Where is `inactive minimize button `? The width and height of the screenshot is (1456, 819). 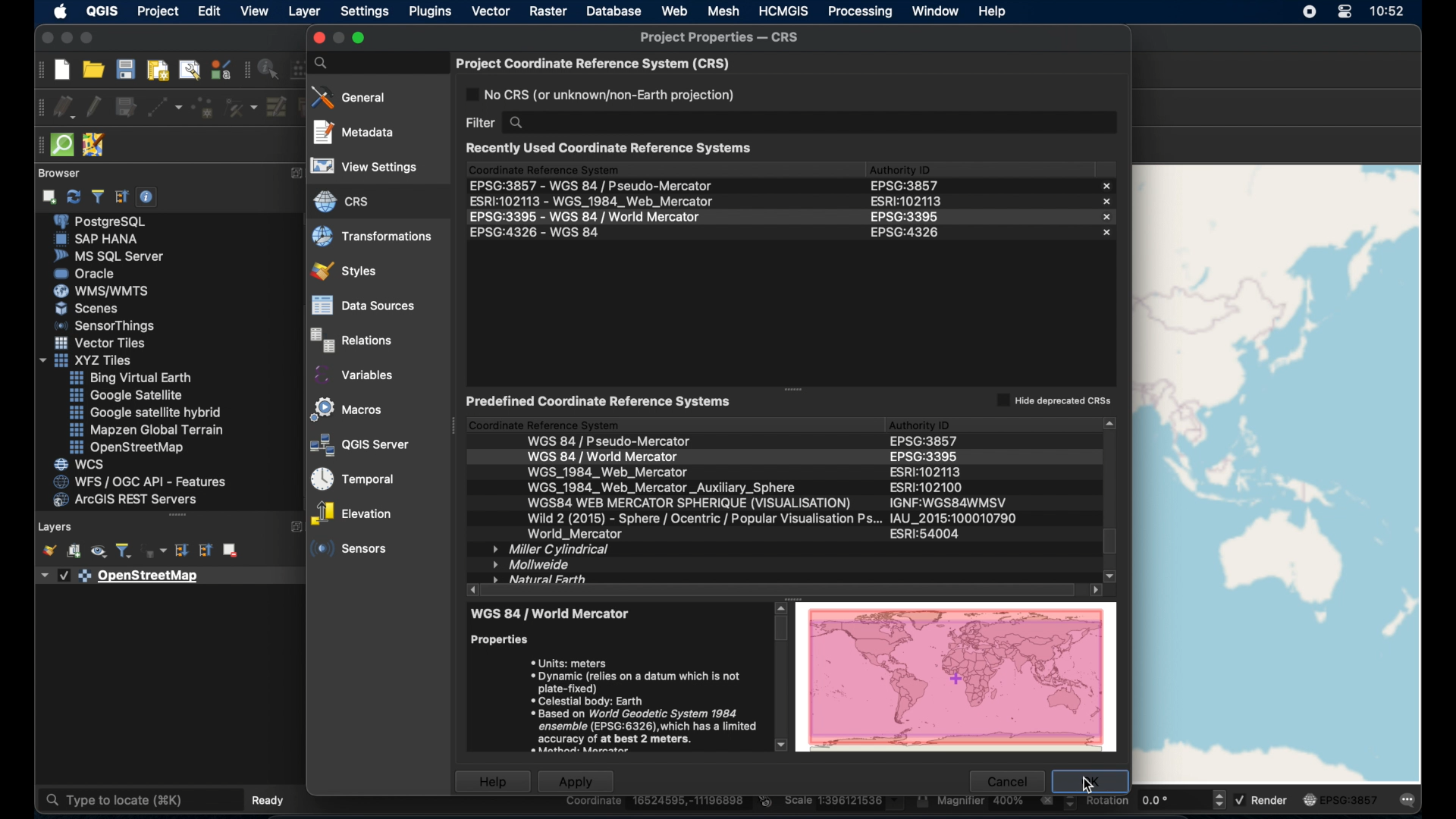
inactive minimize button  is located at coordinates (336, 36).